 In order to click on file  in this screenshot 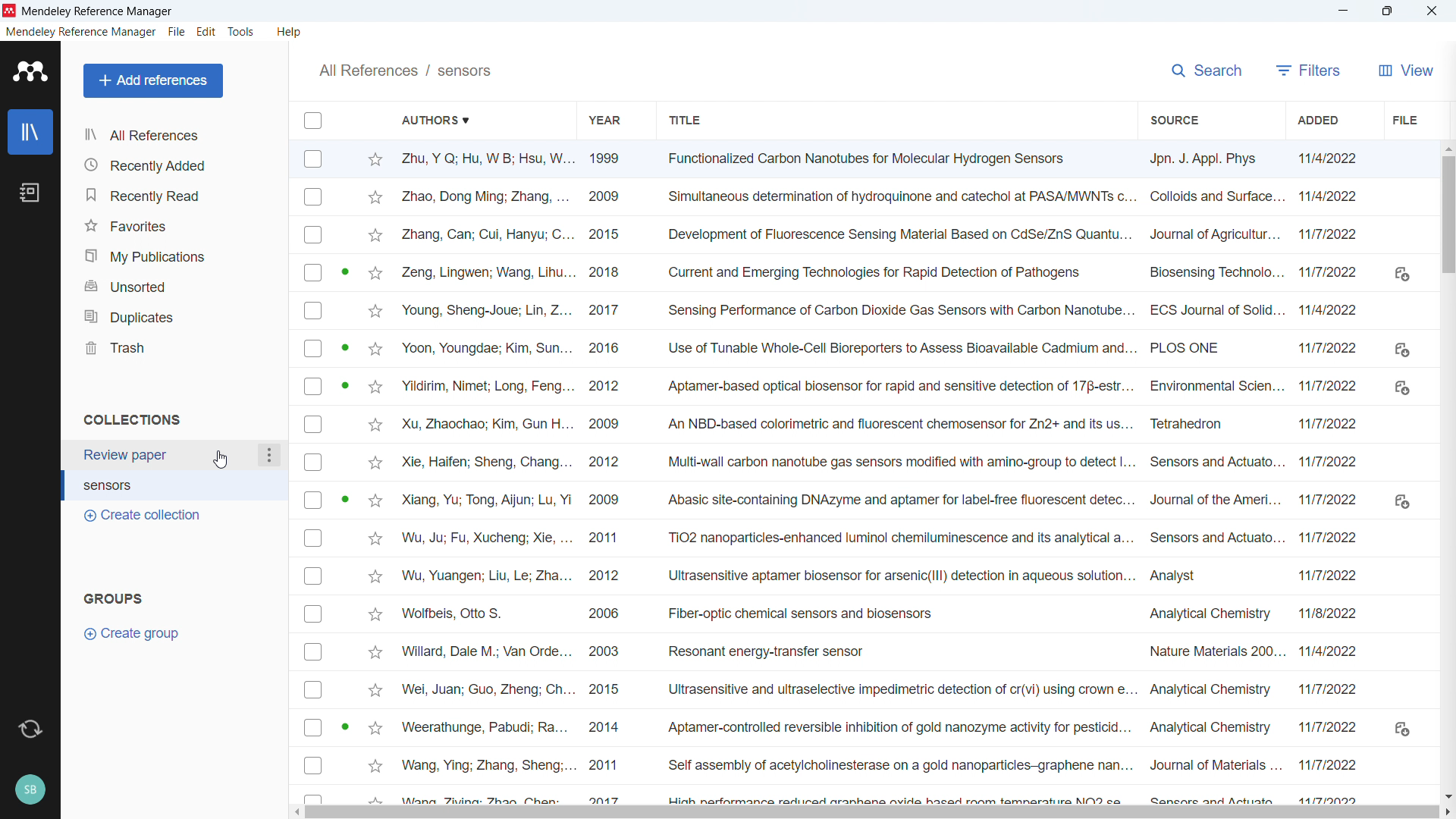, I will do `click(1403, 120)`.